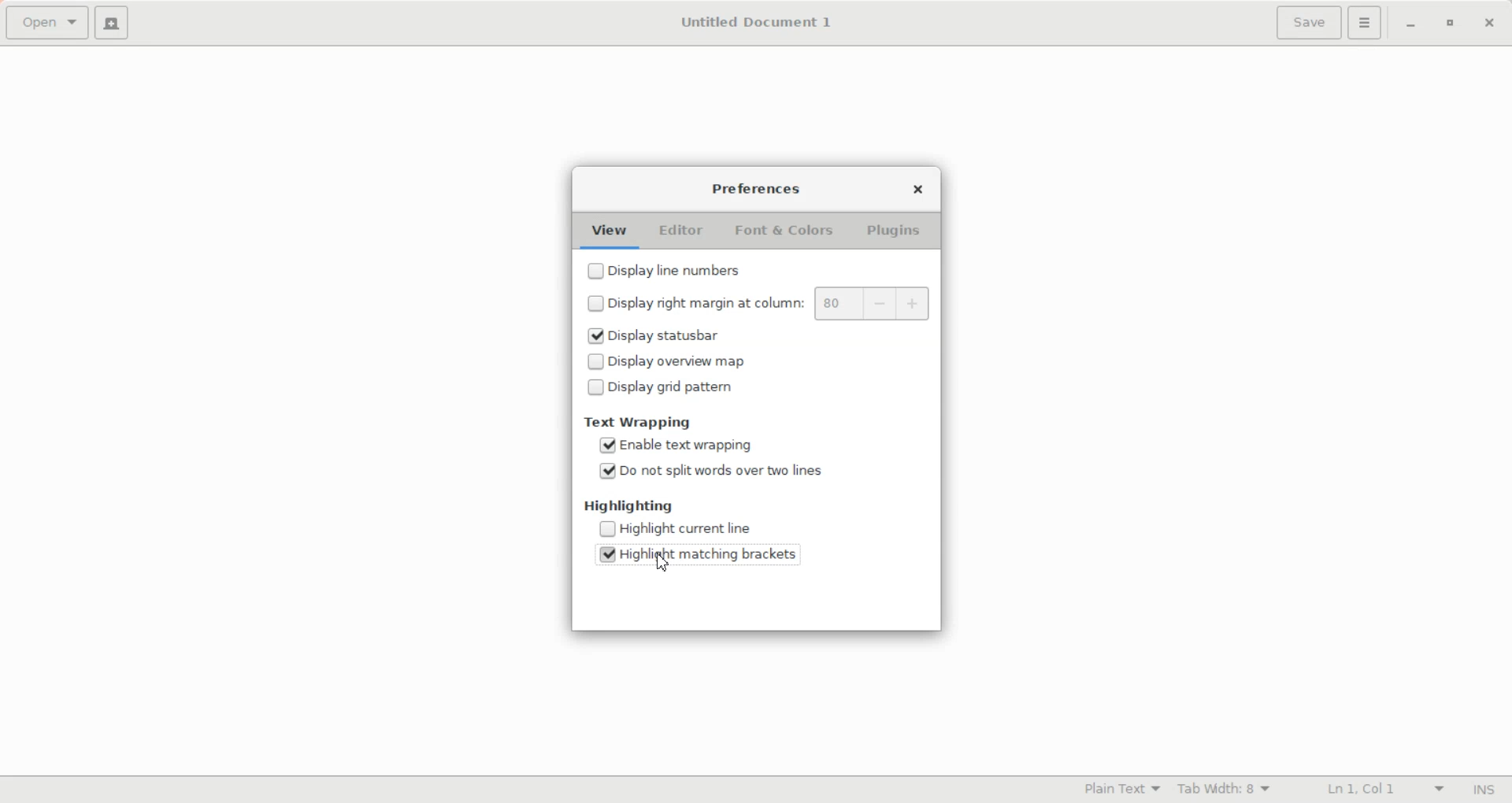  I want to click on Hamburger settings, so click(1365, 23).